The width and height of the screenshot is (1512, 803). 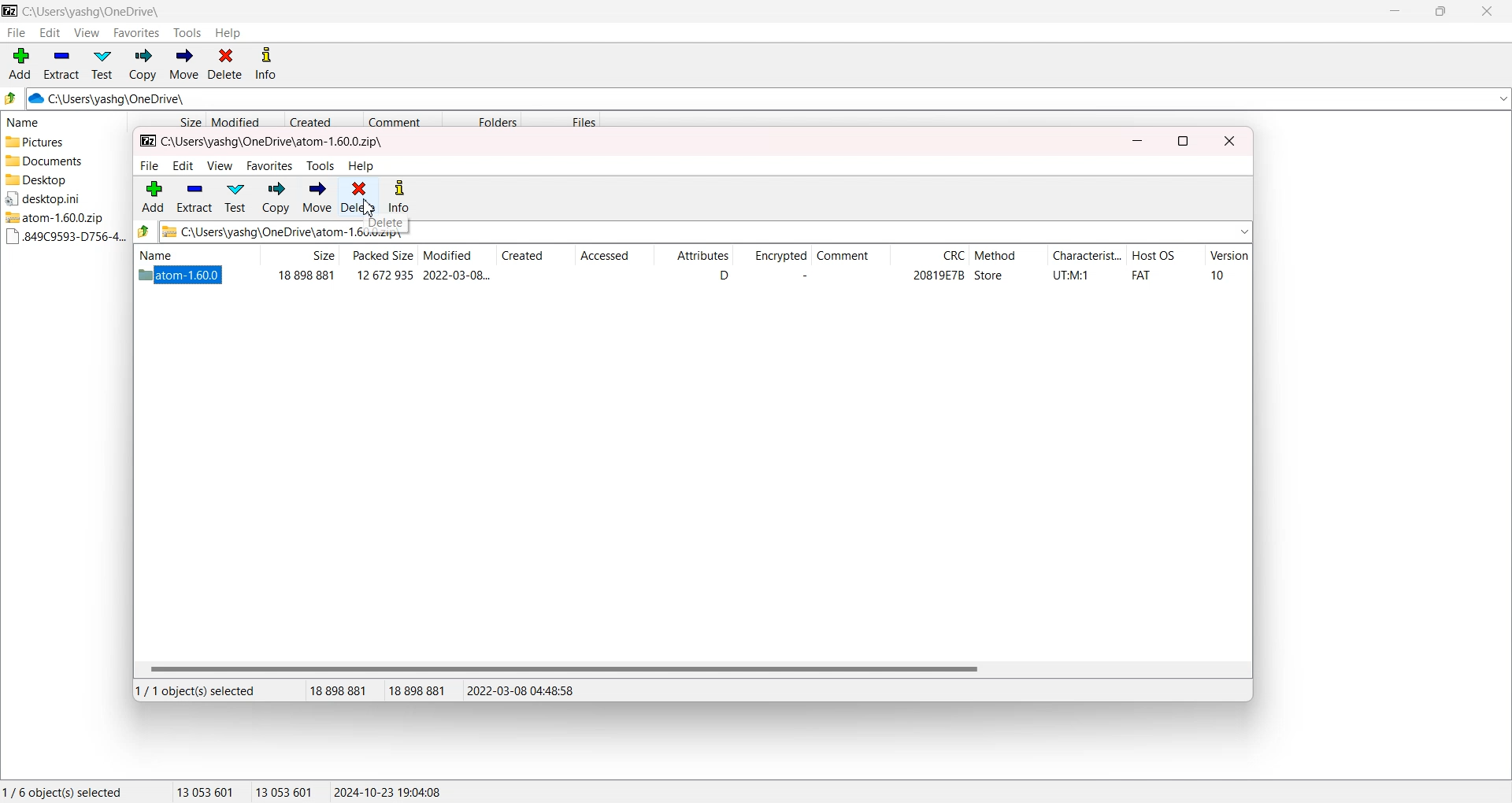 I want to click on Folders, so click(x=481, y=120).